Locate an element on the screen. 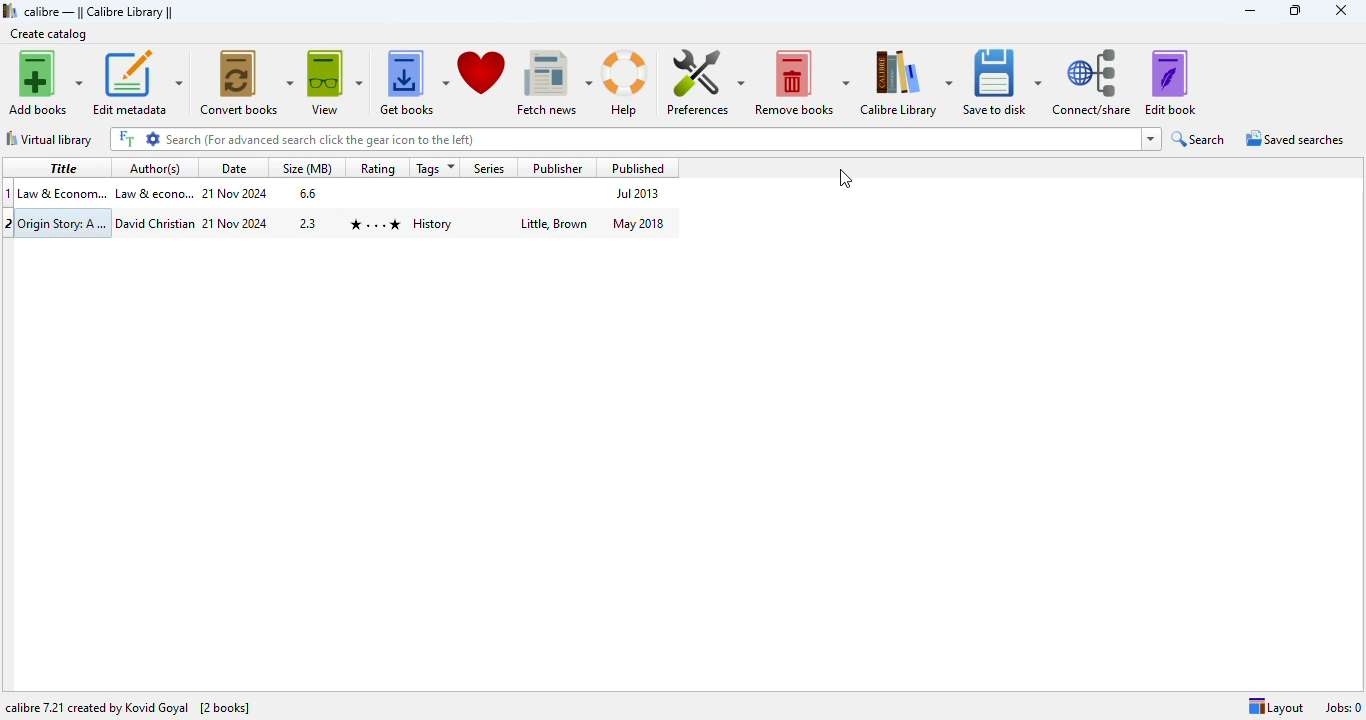 This screenshot has width=1366, height=720. create catalog is located at coordinates (54, 33).